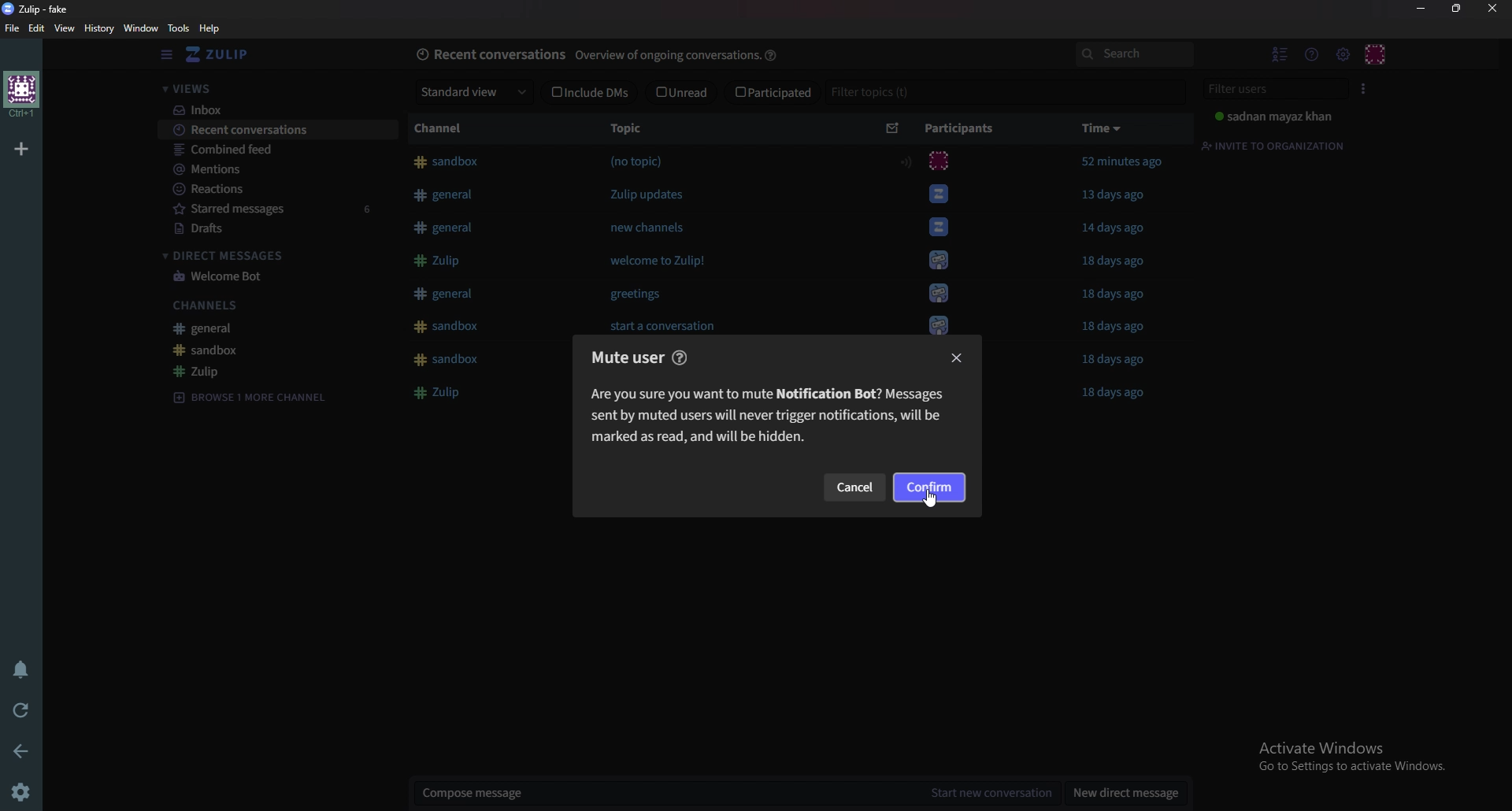 This screenshot has width=1512, height=811. What do you see at coordinates (1114, 328) in the screenshot?
I see `18 days ago` at bounding box center [1114, 328].